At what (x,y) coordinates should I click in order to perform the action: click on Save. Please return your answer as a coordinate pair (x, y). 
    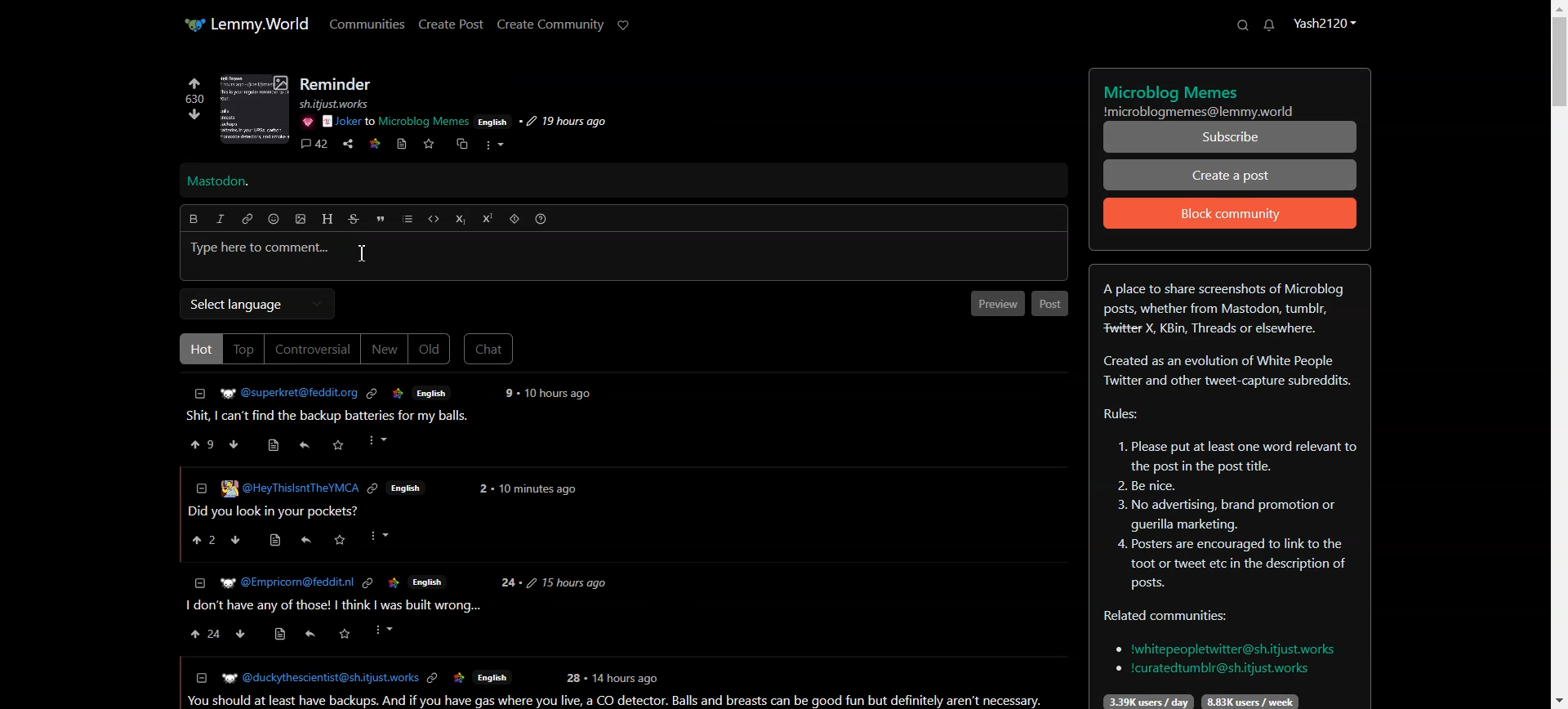
    Looking at the image, I should click on (428, 144).